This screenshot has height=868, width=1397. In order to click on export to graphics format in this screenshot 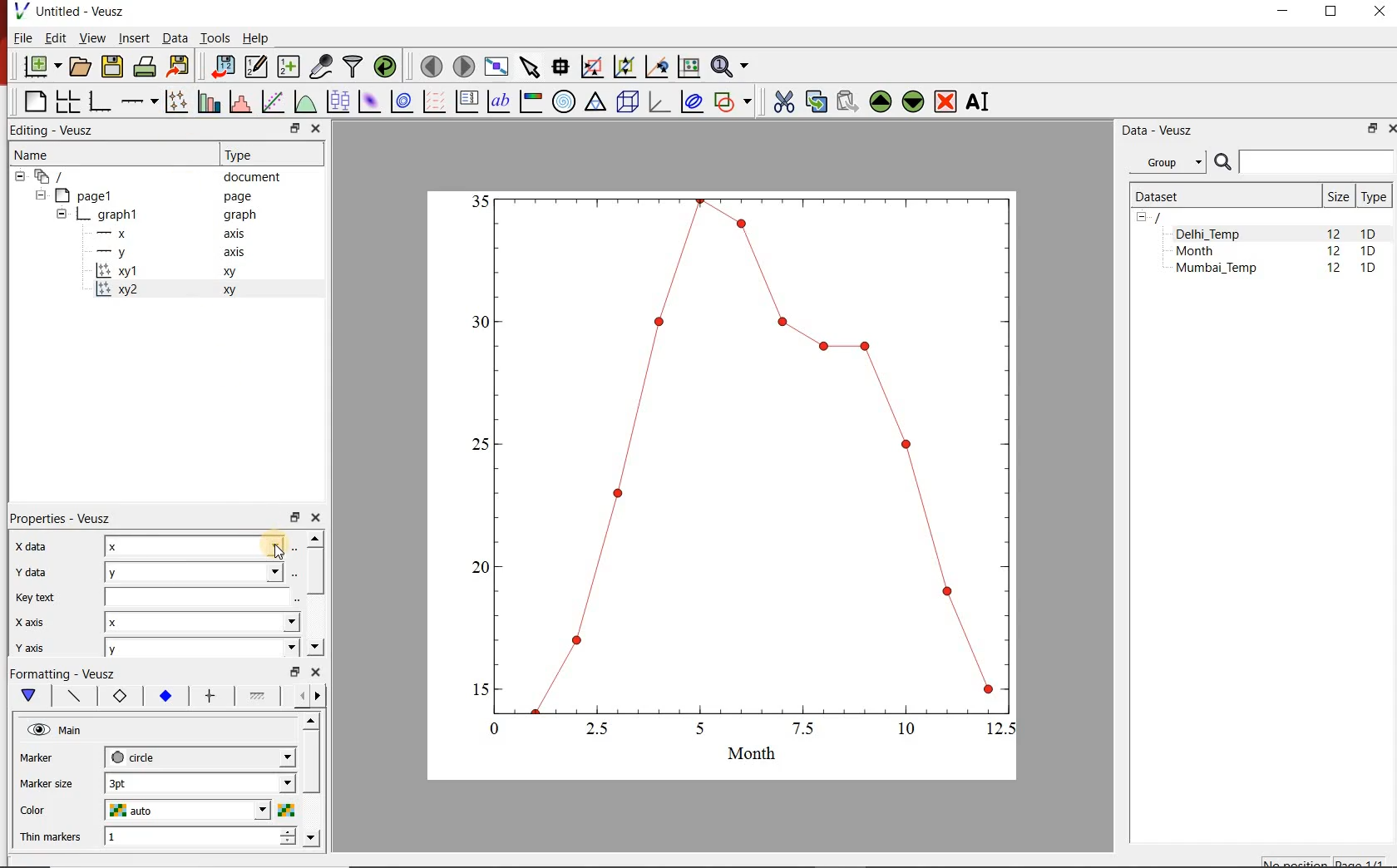, I will do `click(180, 67)`.